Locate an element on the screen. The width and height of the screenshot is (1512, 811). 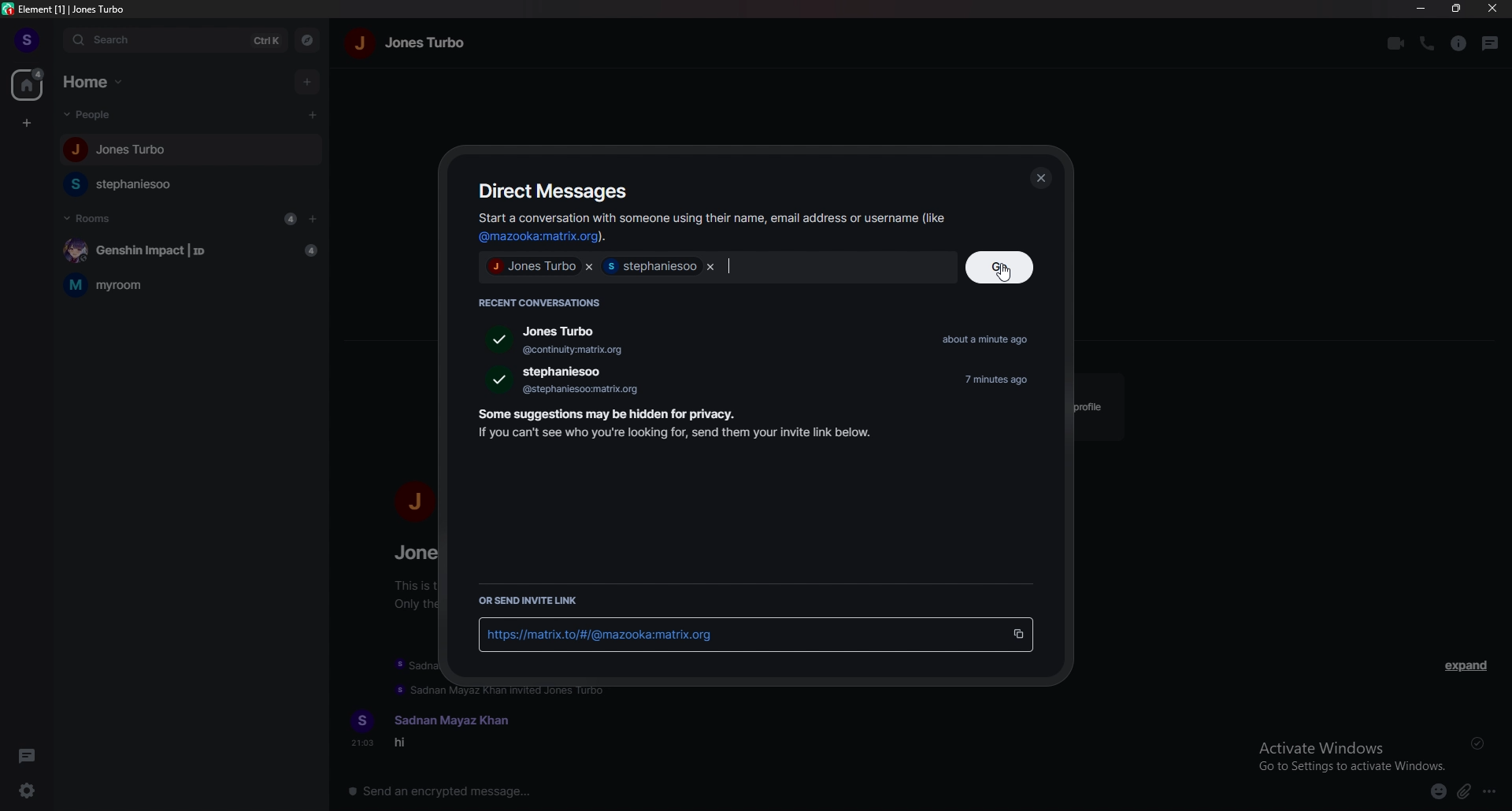
s is located at coordinates (28, 39).